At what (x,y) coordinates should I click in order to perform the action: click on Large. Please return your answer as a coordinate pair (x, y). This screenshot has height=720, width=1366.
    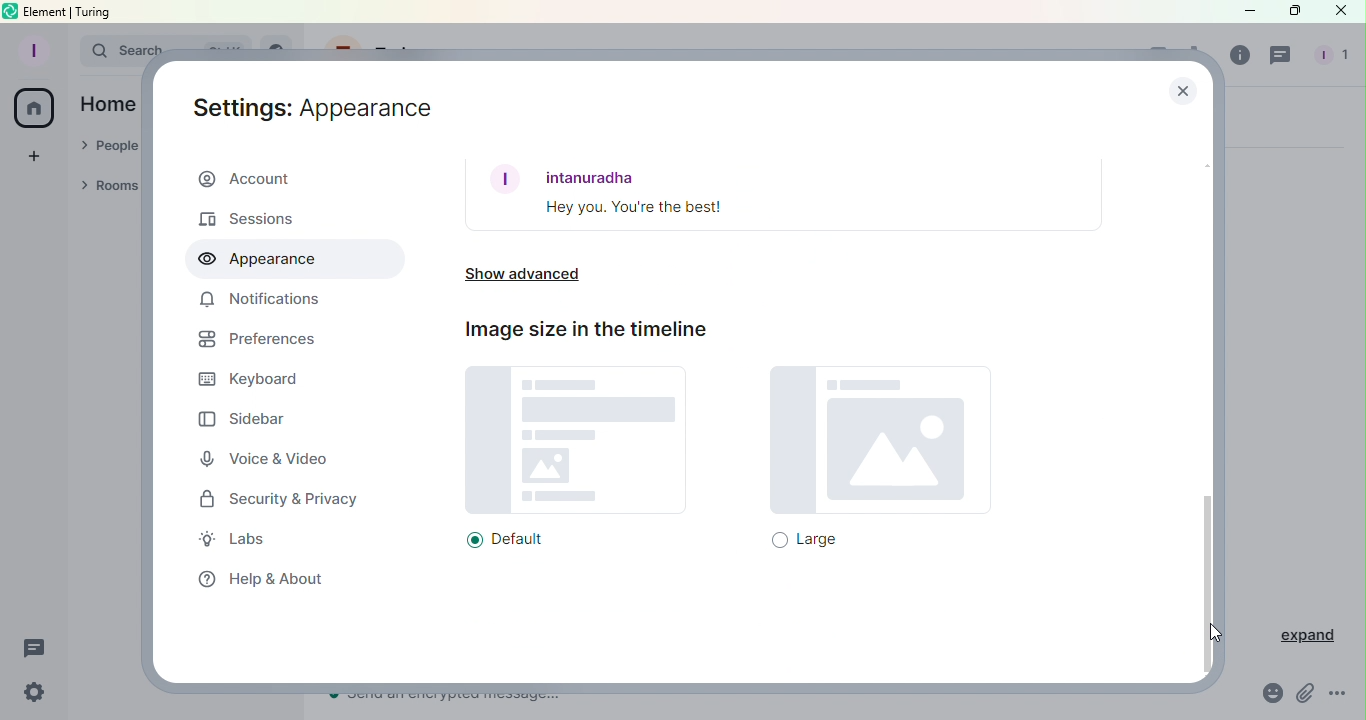
    Looking at the image, I should click on (877, 458).